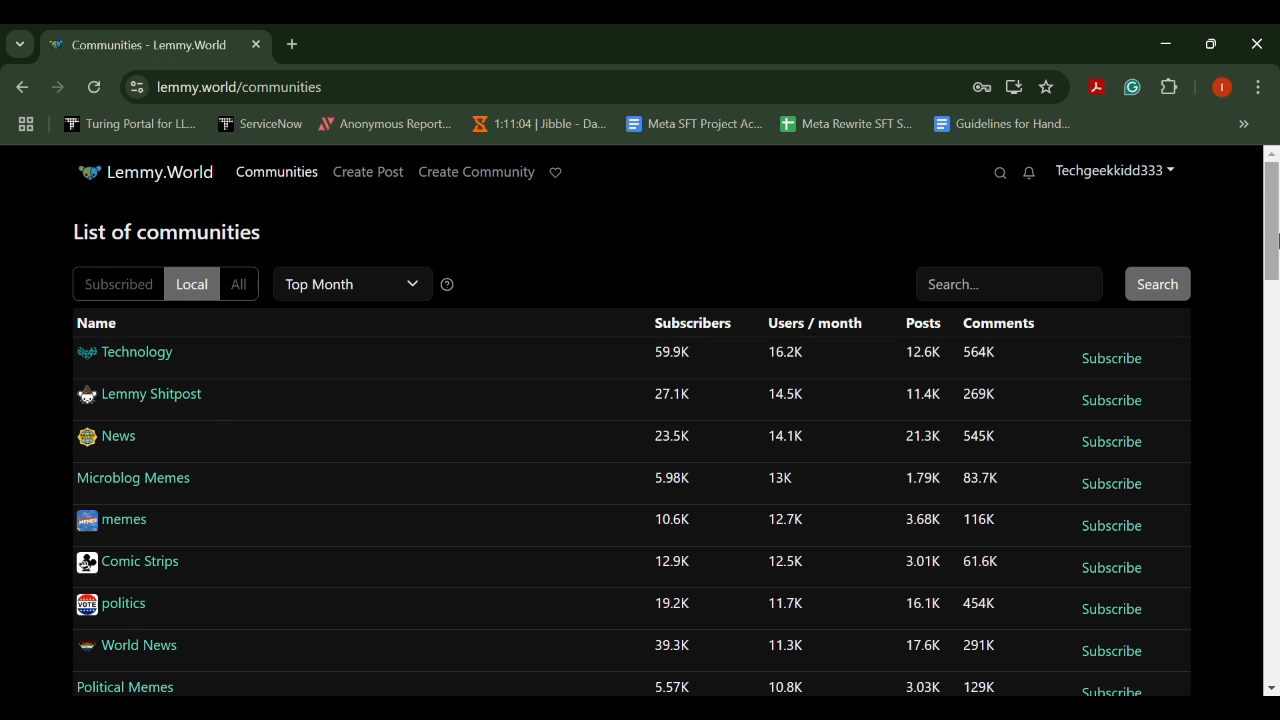  I want to click on 39.3K, so click(670, 646).